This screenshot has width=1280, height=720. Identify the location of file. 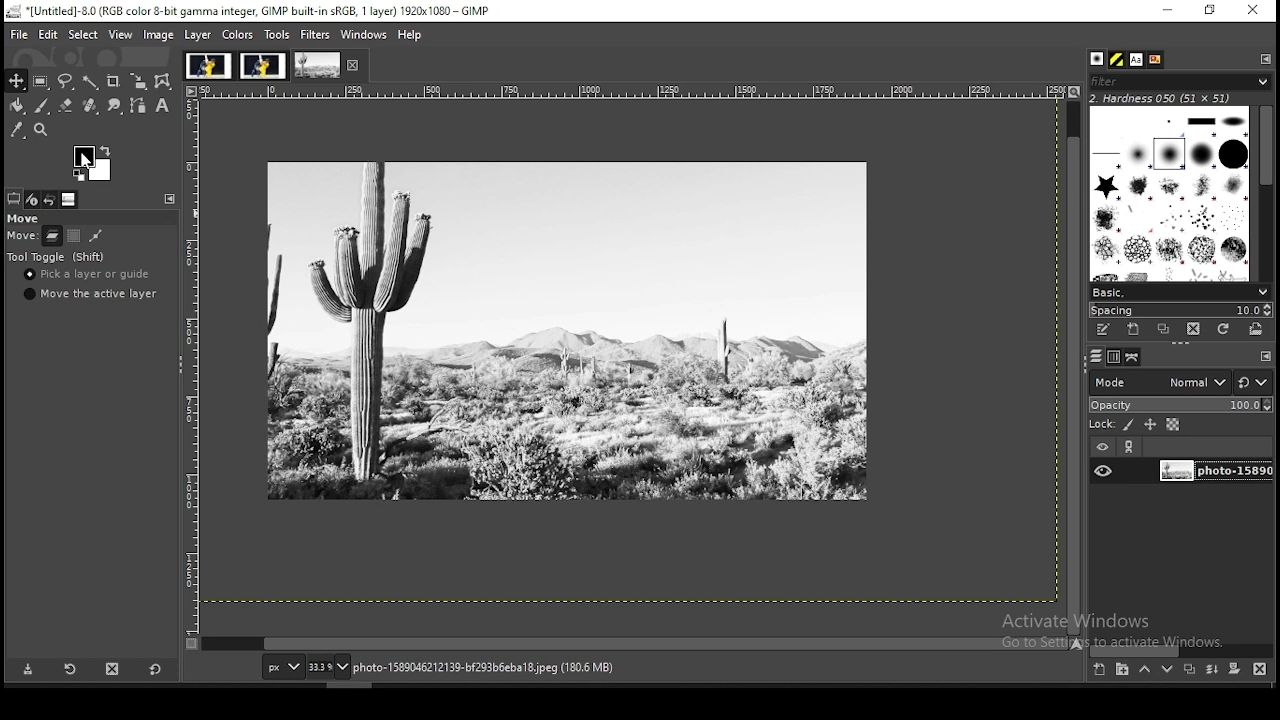
(17, 33).